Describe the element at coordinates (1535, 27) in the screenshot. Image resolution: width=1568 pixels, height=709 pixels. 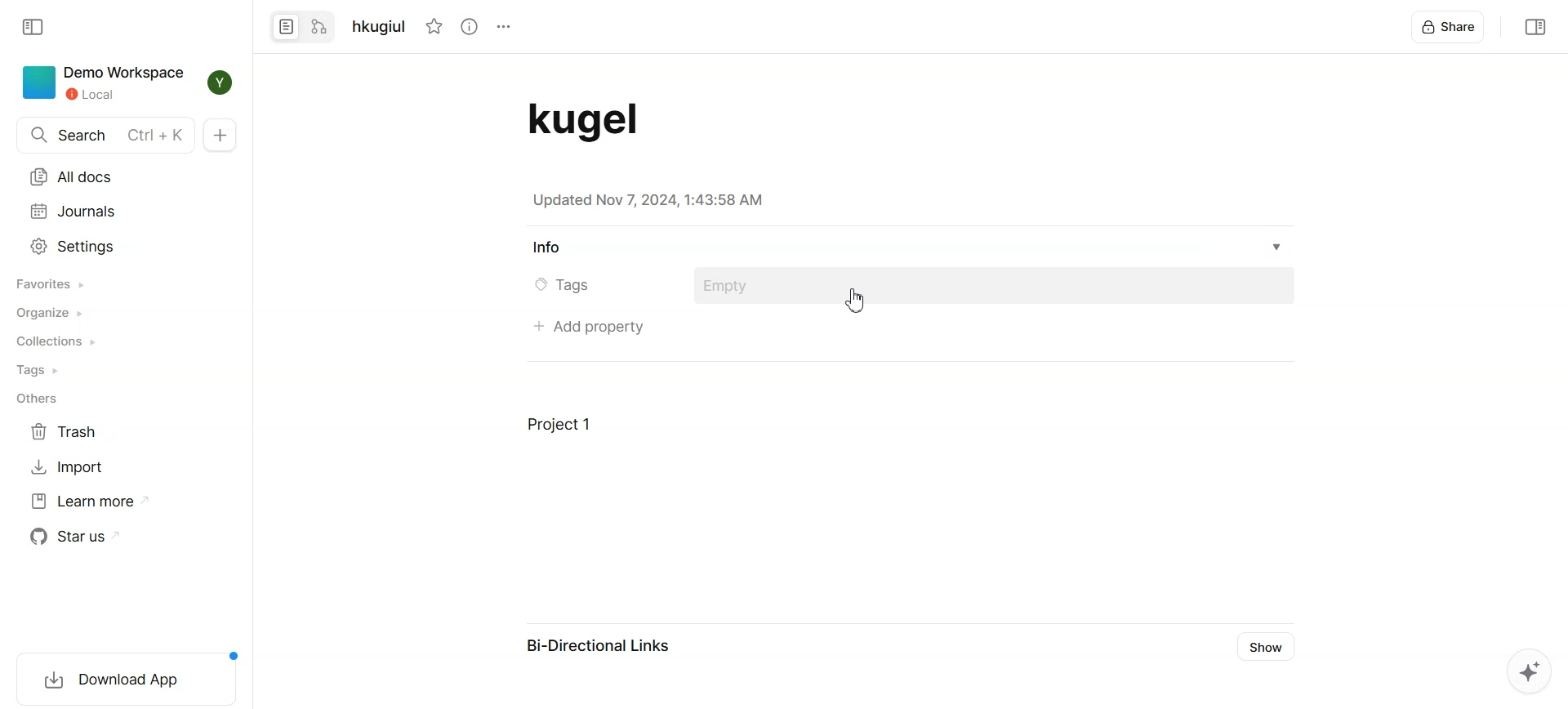
I see `Collapse sidebar` at that location.